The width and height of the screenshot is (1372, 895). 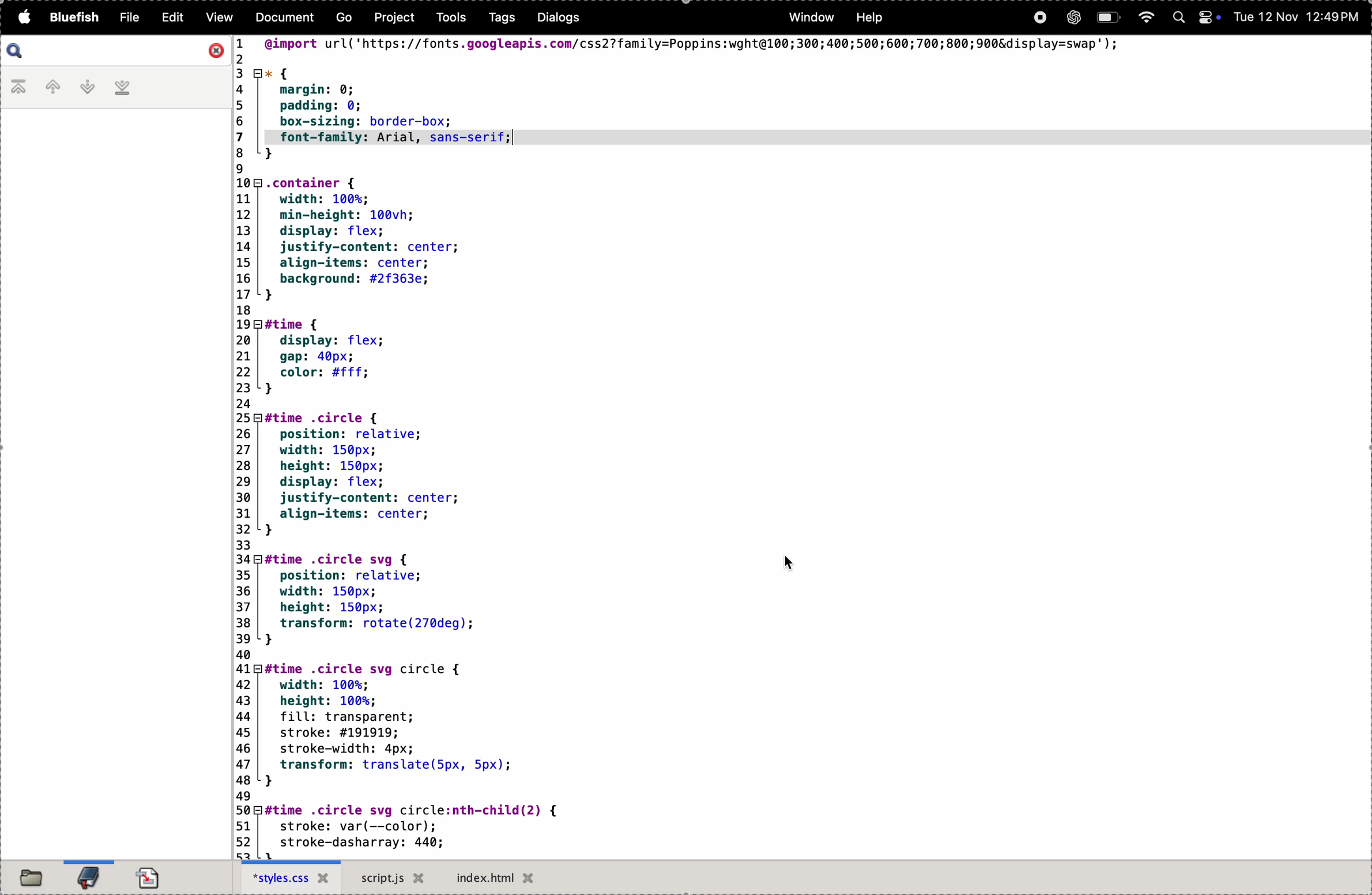 What do you see at coordinates (31, 877) in the screenshot?
I see `open file` at bounding box center [31, 877].